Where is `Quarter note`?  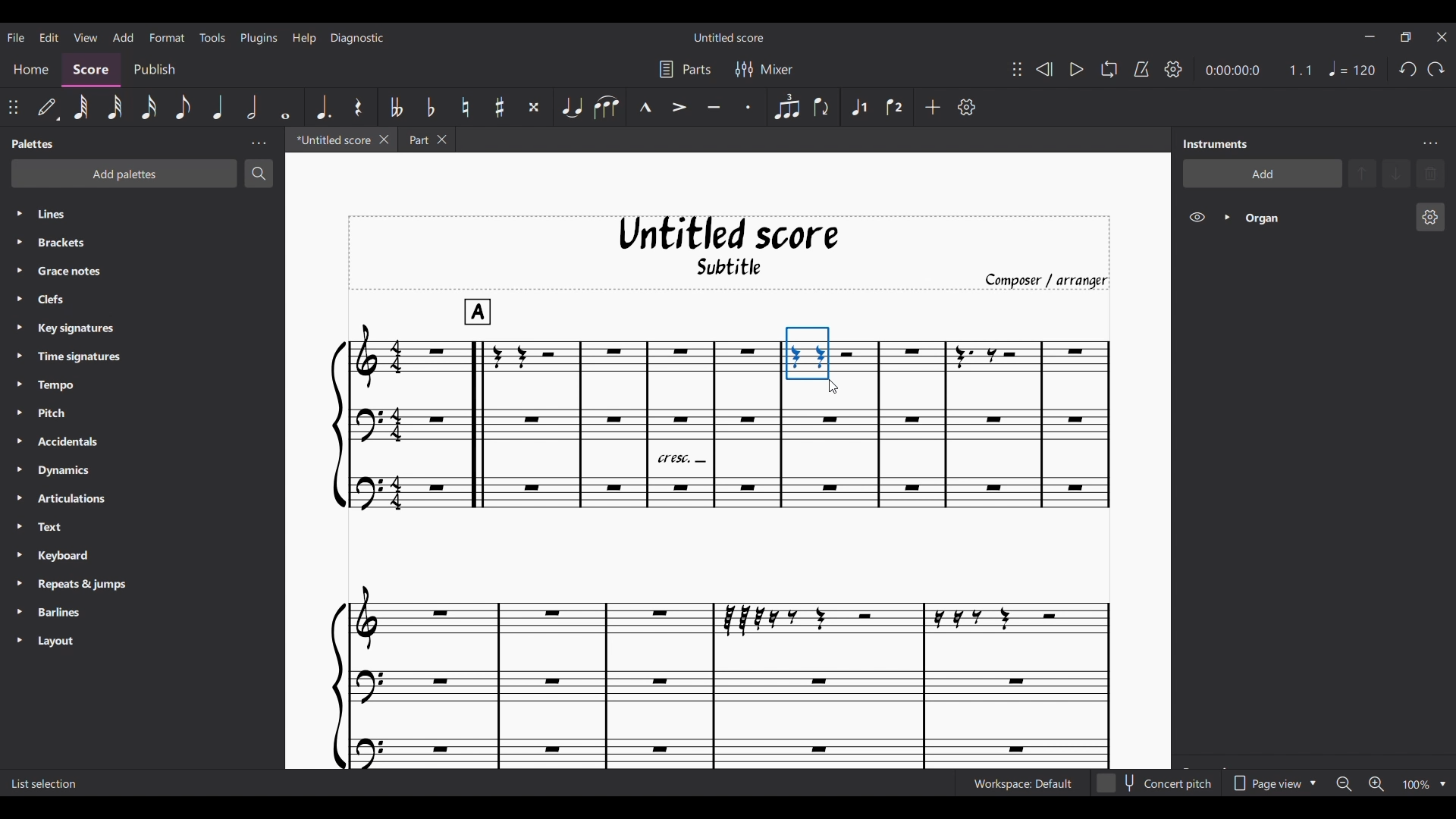
Quarter note is located at coordinates (1351, 68).